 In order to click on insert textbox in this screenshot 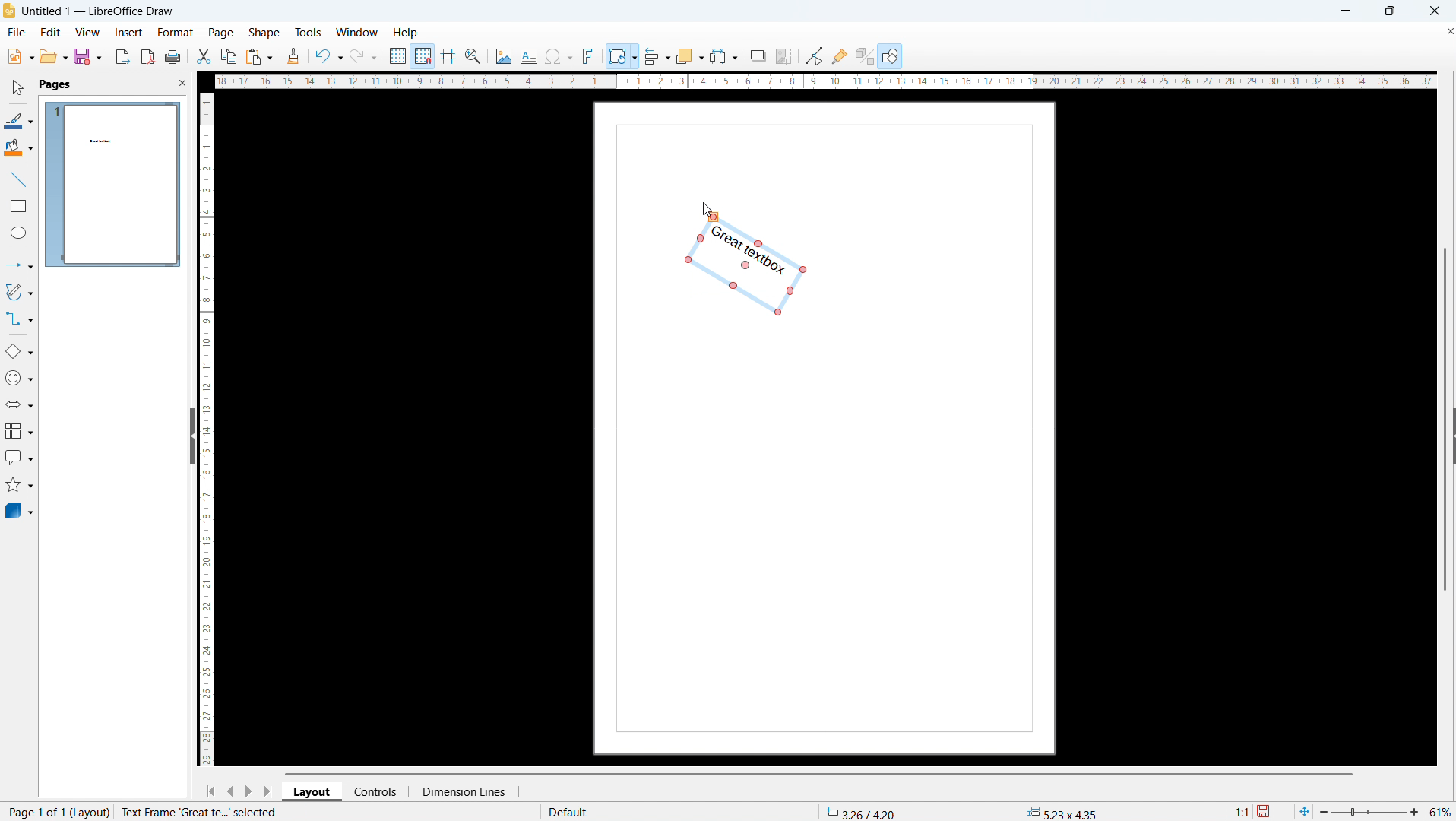, I will do `click(529, 55)`.